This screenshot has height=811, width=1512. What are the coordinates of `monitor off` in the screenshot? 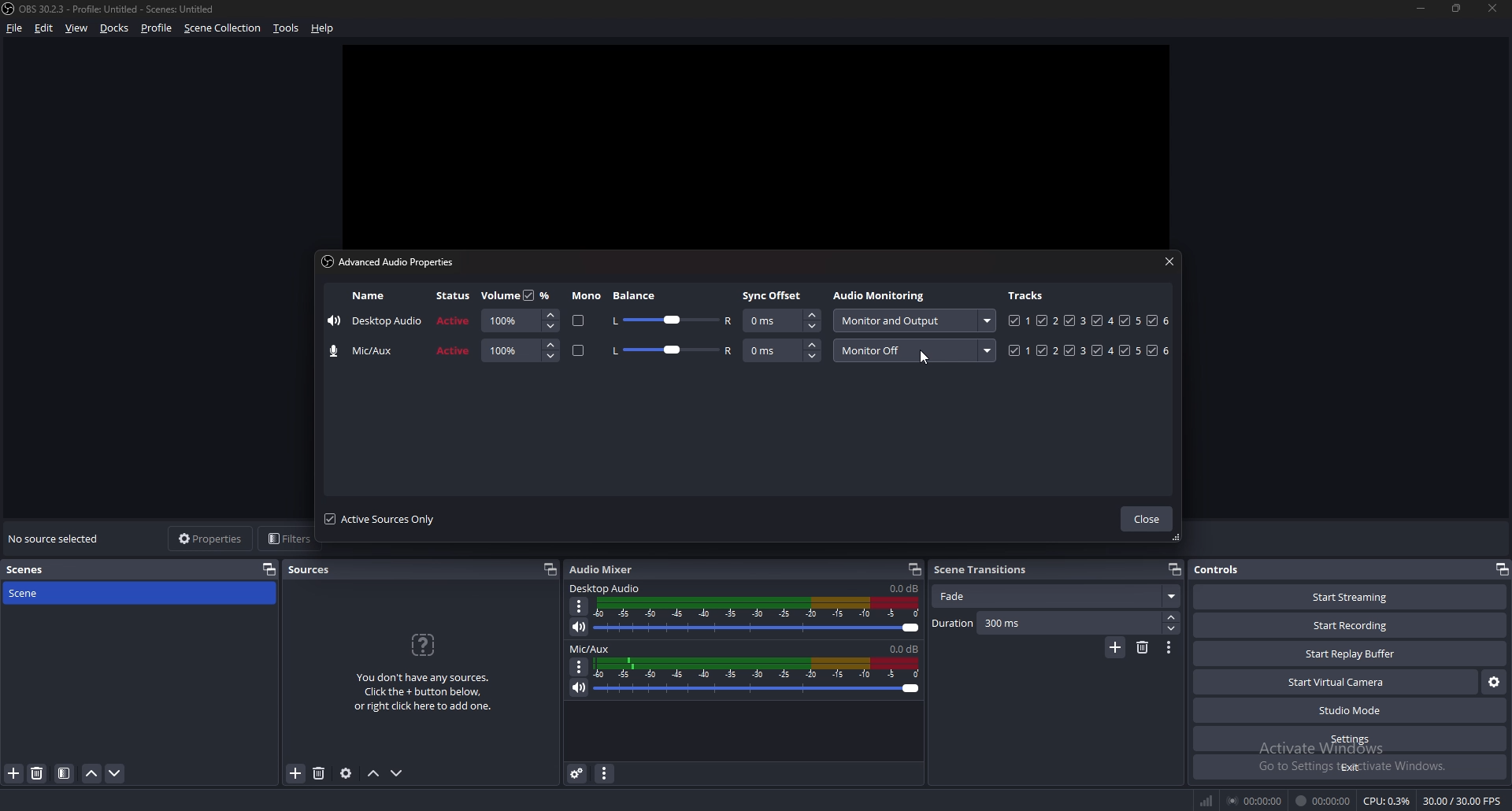 It's located at (913, 349).